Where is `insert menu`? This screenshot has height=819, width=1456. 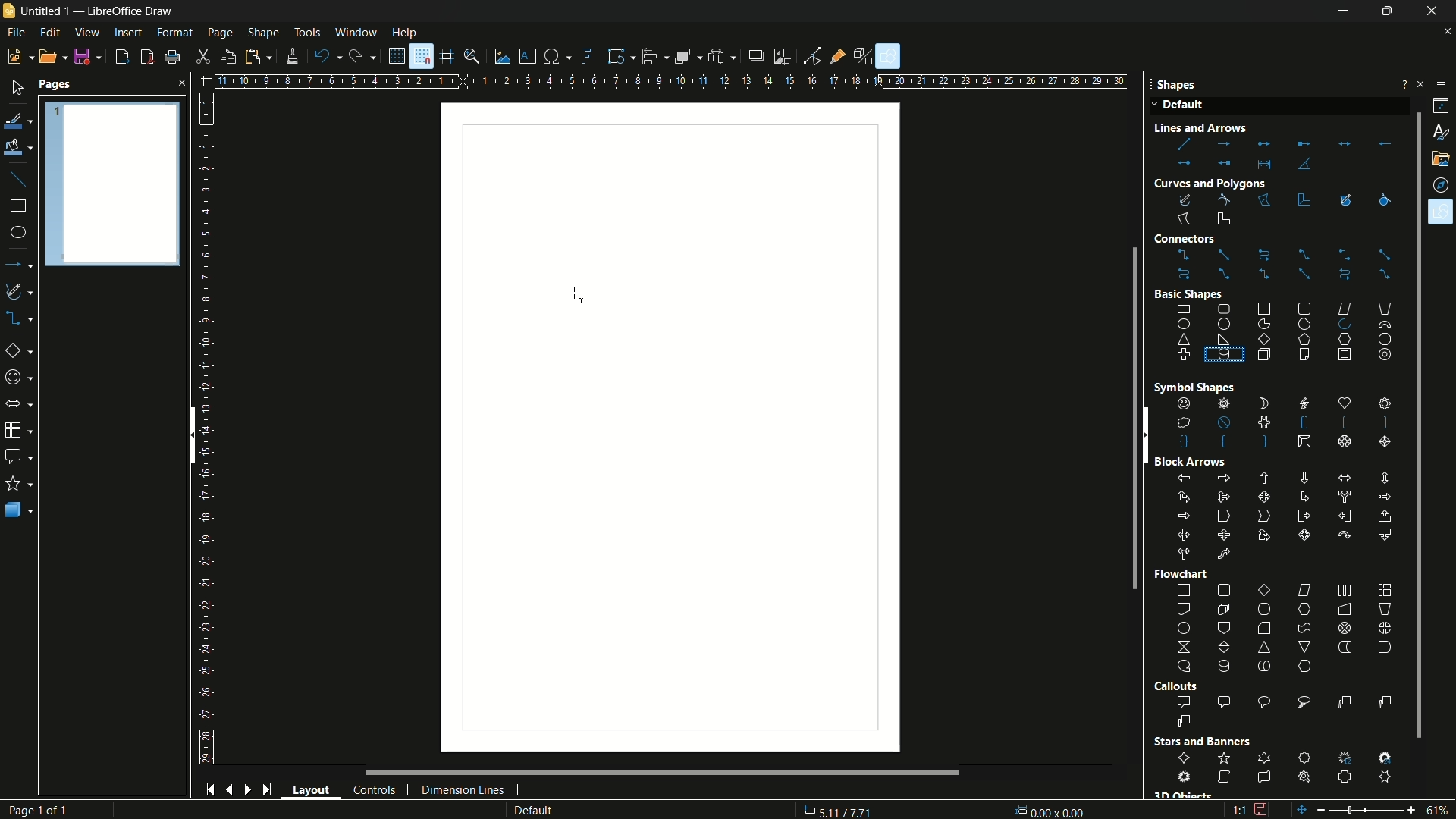 insert menu is located at coordinates (128, 32).